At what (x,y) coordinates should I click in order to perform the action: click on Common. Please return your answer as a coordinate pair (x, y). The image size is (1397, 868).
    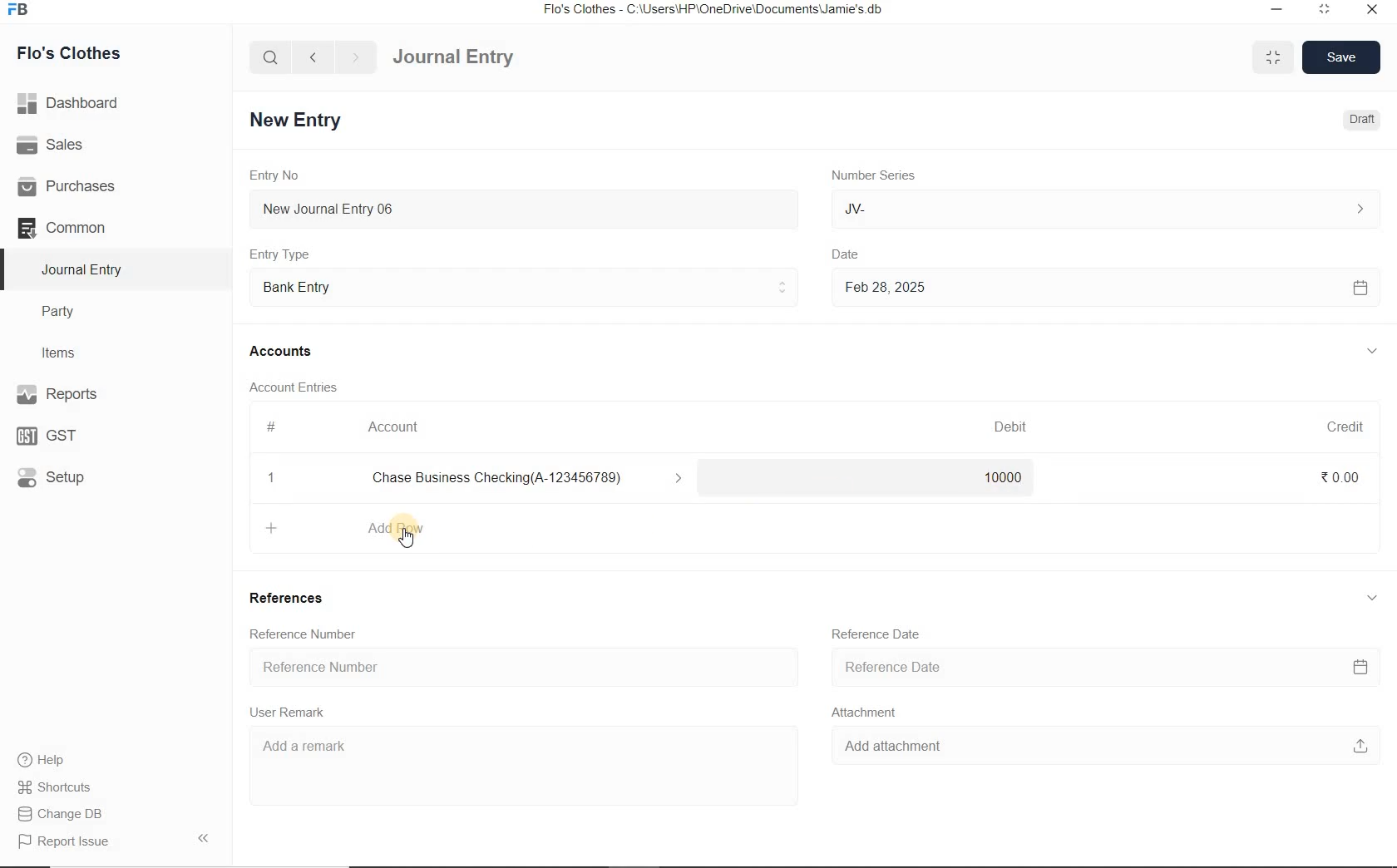
    Looking at the image, I should click on (81, 227).